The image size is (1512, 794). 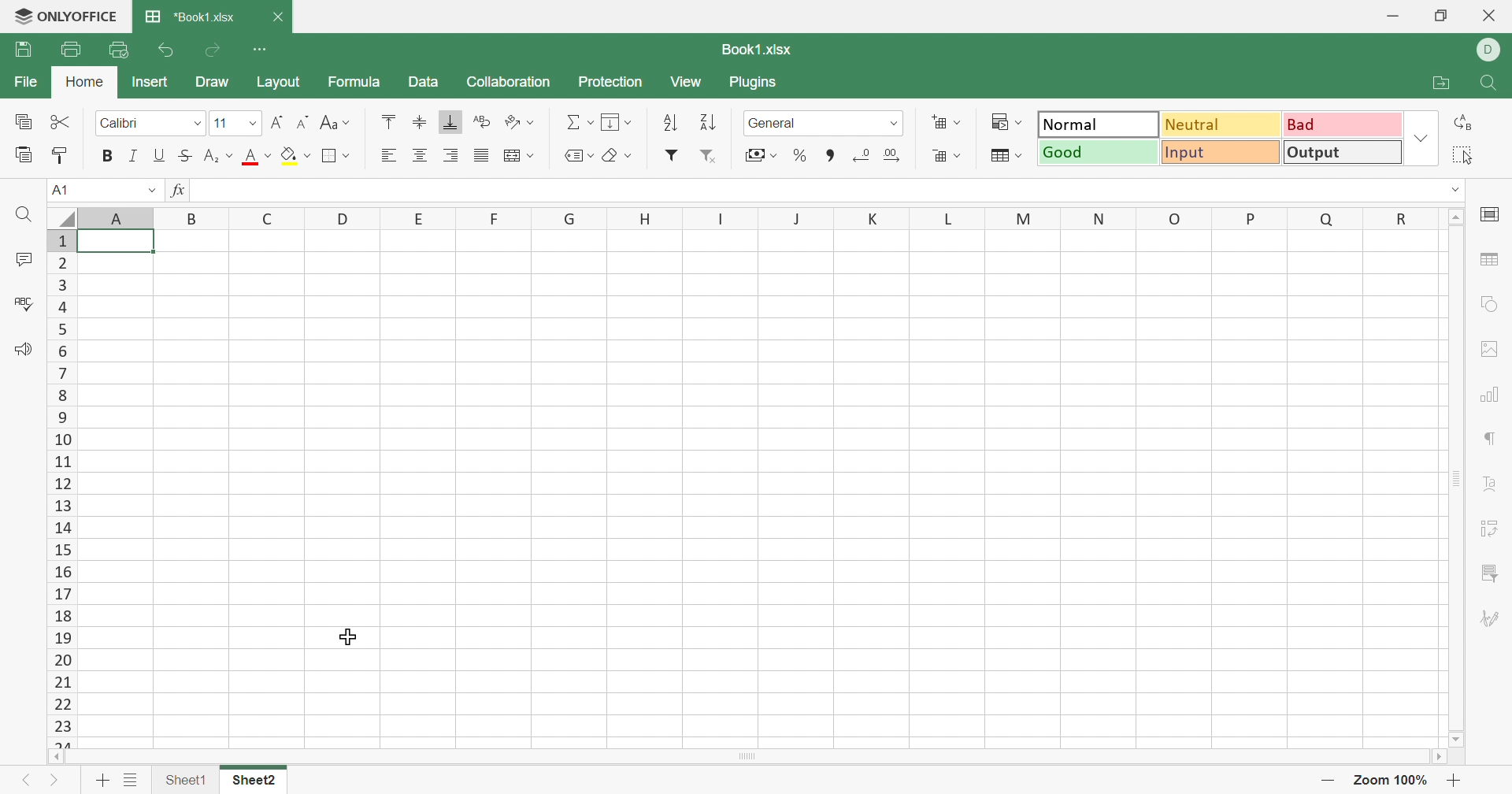 What do you see at coordinates (493, 217) in the screenshot?
I see `F` at bounding box center [493, 217].